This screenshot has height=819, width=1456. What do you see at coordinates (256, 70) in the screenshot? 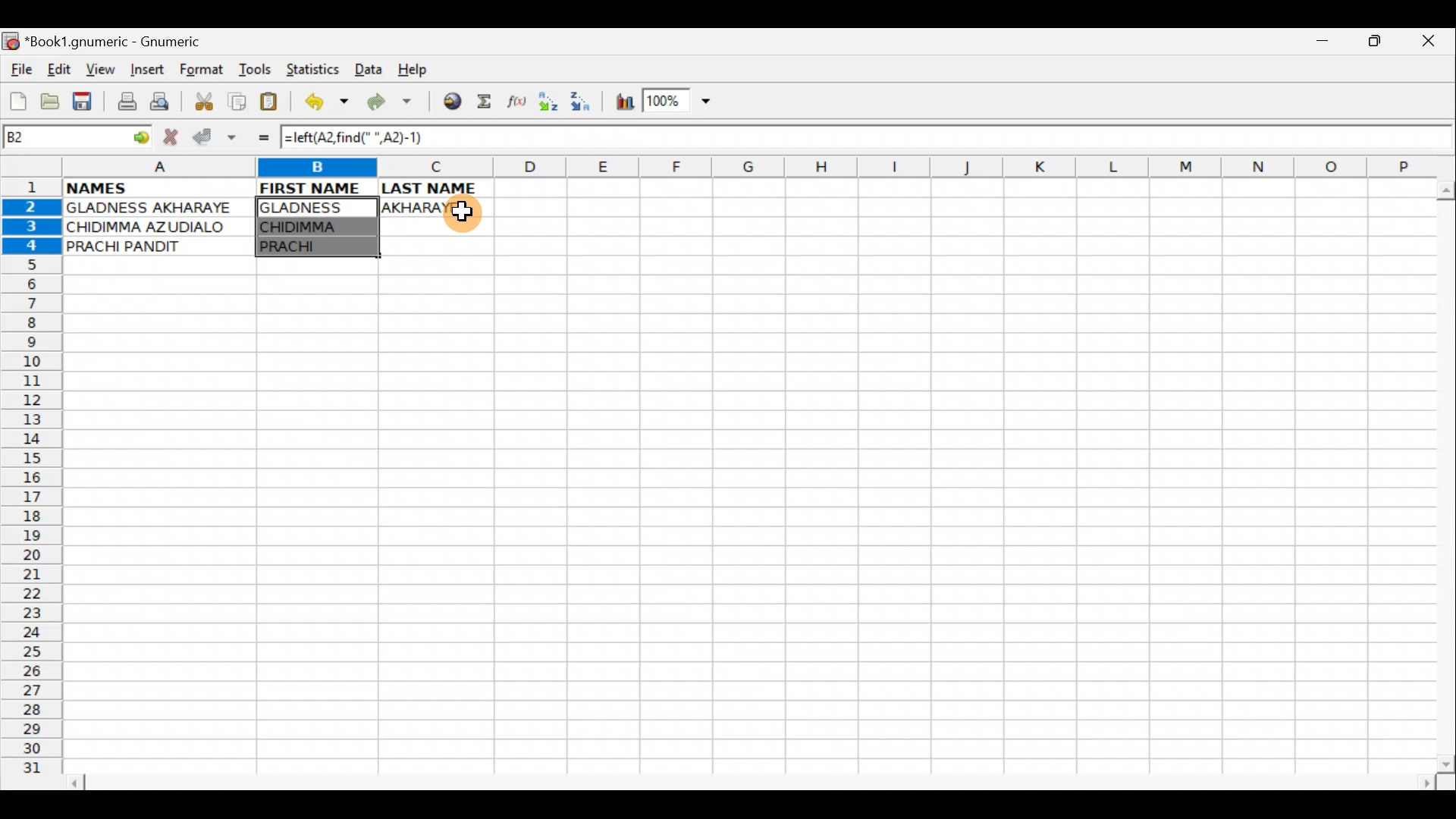
I see `Tools` at bounding box center [256, 70].